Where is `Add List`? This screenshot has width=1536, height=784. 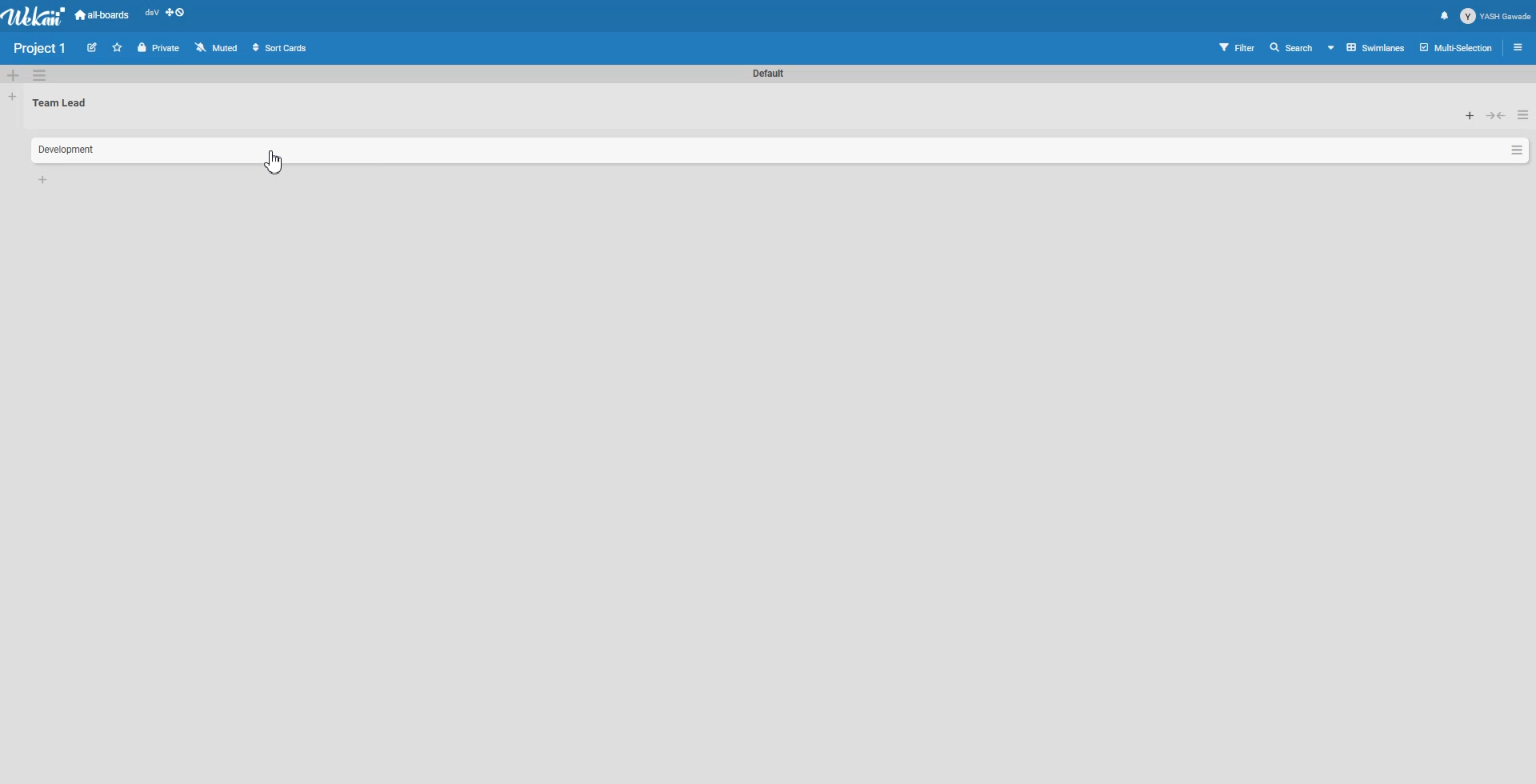
Add List is located at coordinates (13, 98).